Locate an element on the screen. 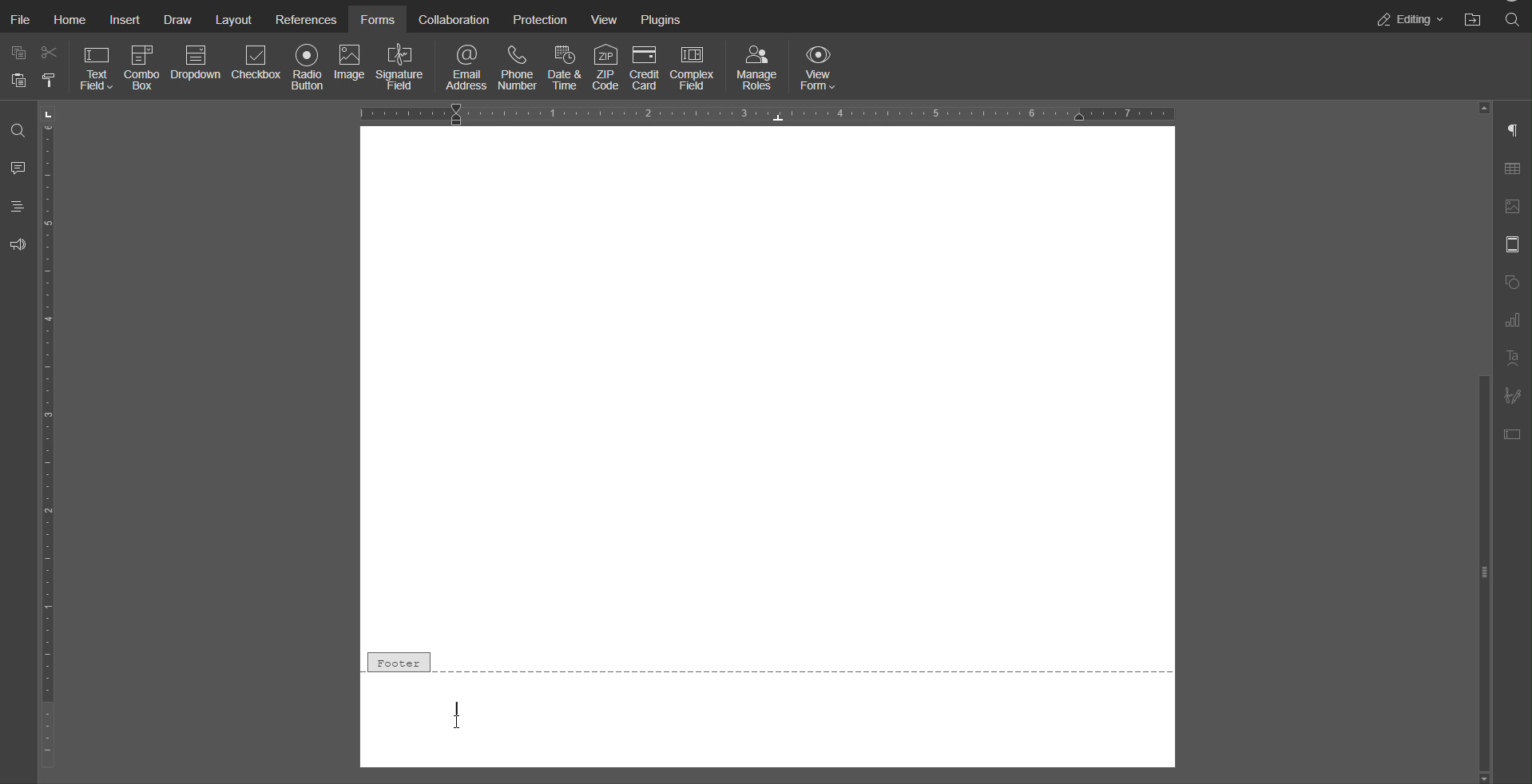  Date & Time is located at coordinates (566, 66).